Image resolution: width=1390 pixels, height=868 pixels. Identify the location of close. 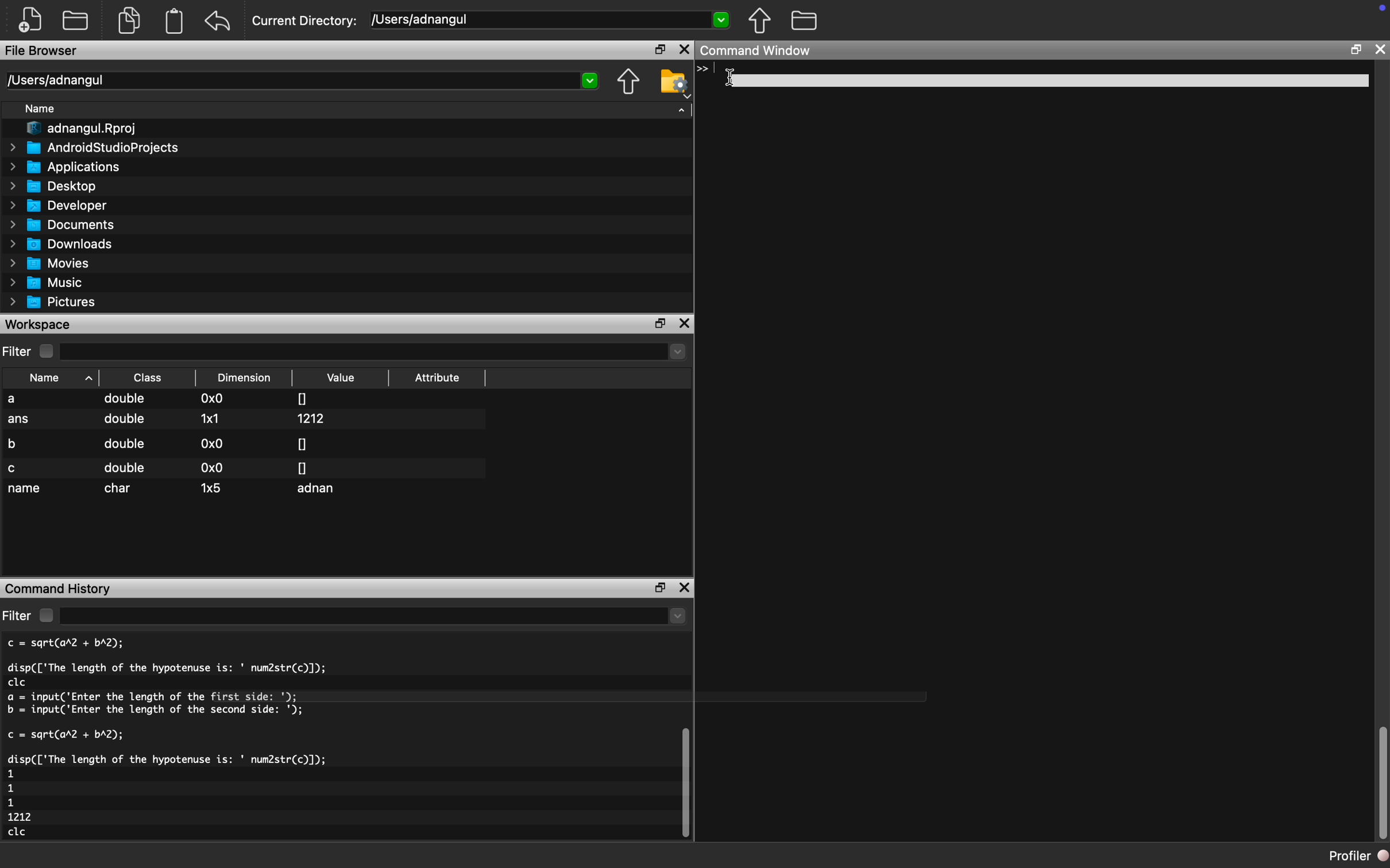
(684, 50).